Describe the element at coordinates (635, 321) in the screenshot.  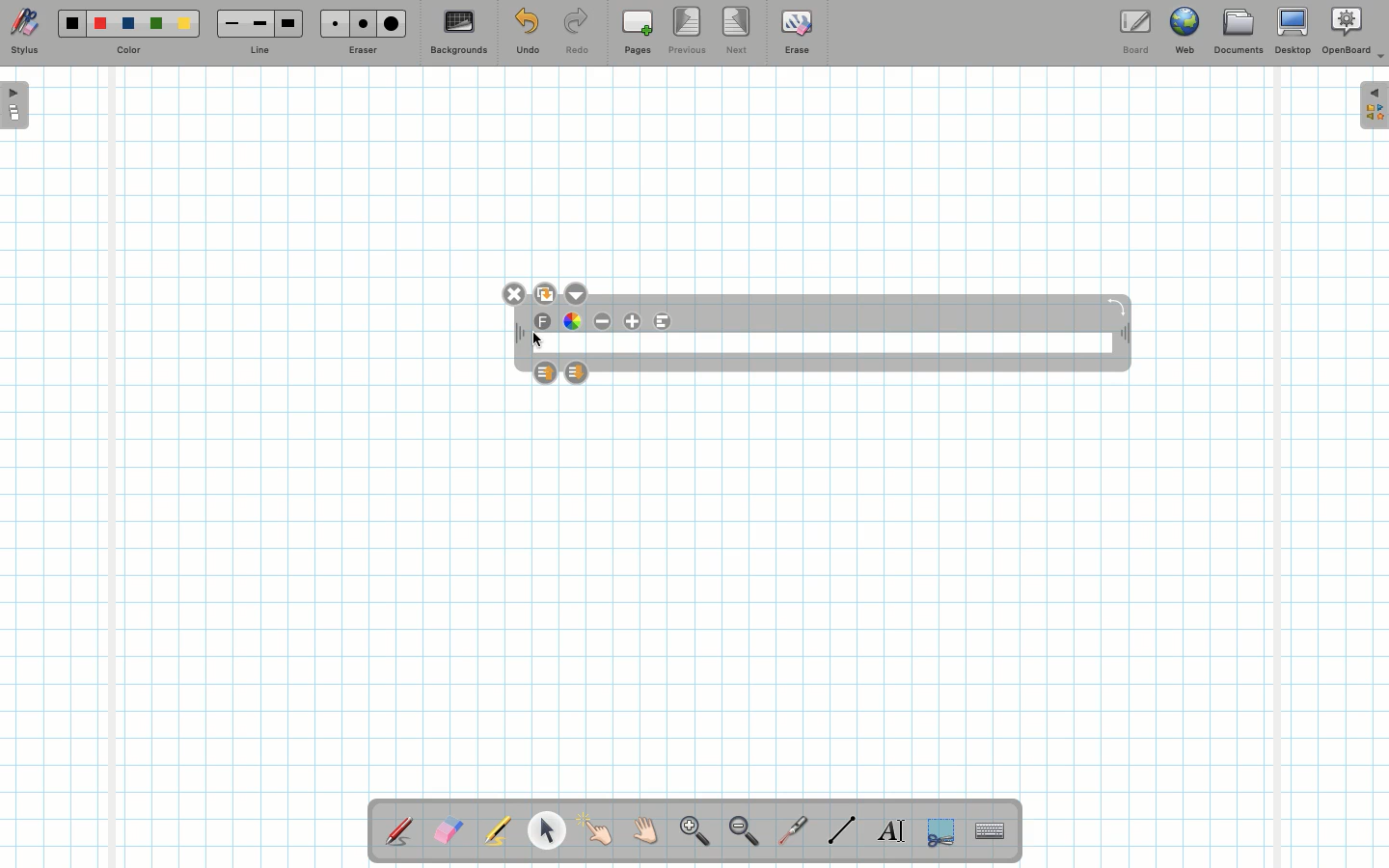
I see `Increase font size` at that location.